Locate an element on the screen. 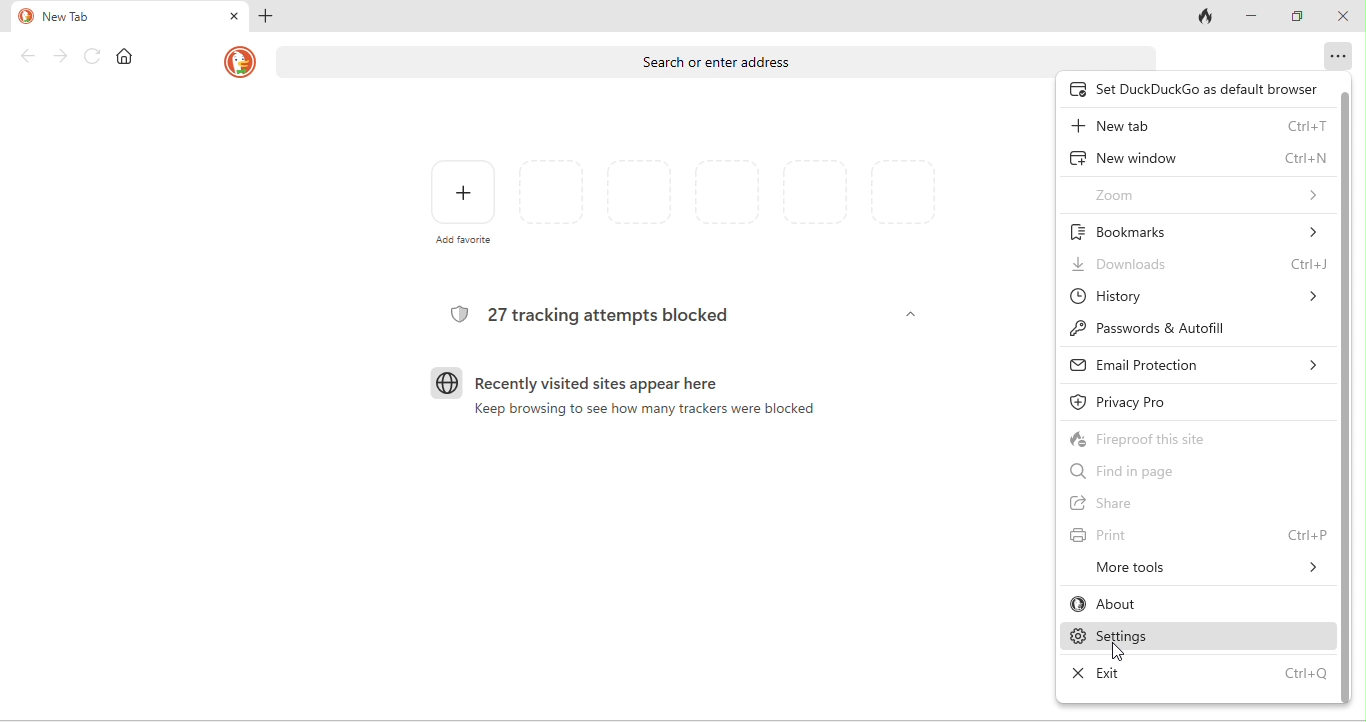  27 tracking attempts blocked is located at coordinates (615, 313).